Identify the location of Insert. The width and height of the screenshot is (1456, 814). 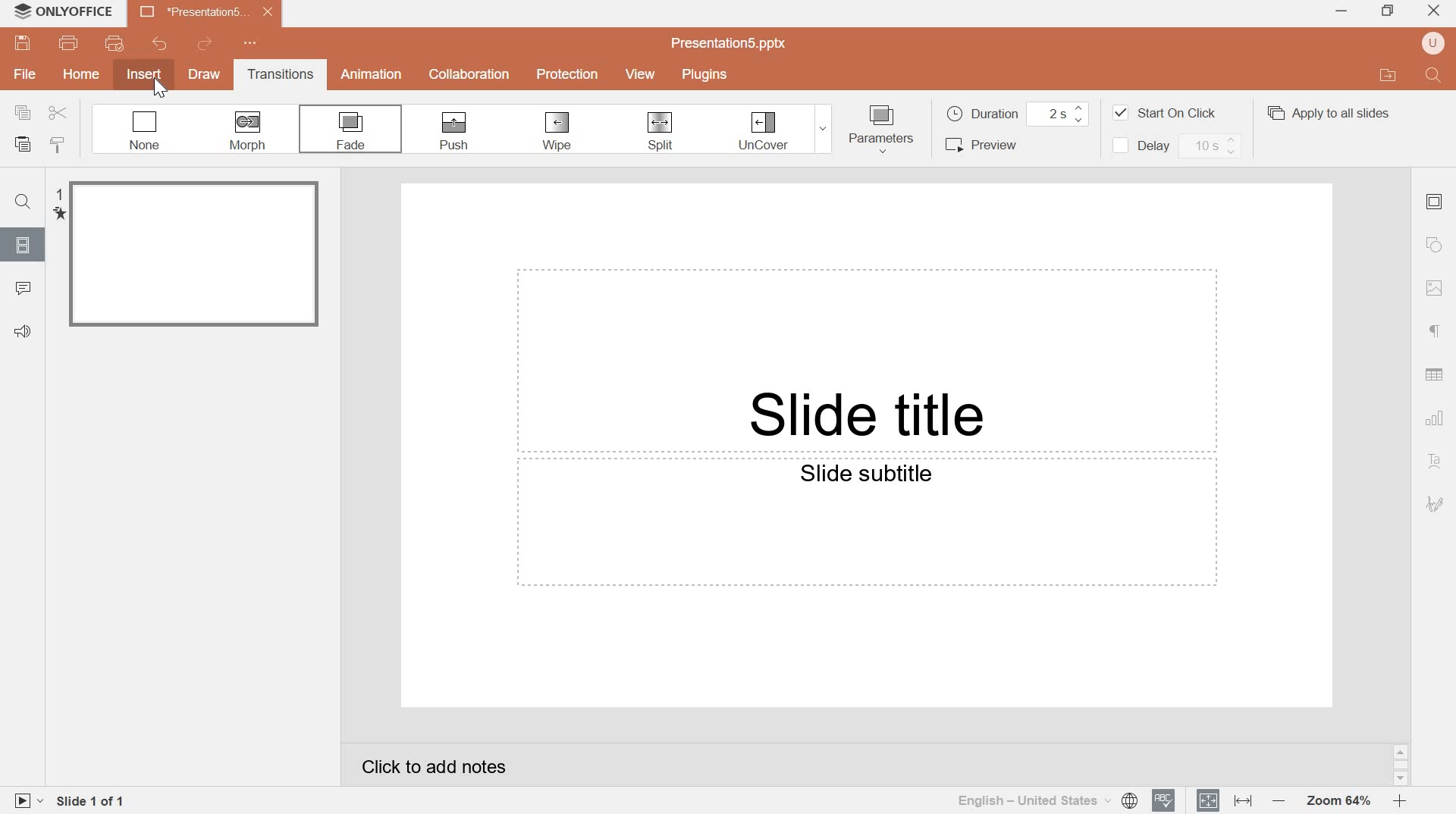
(144, 74).